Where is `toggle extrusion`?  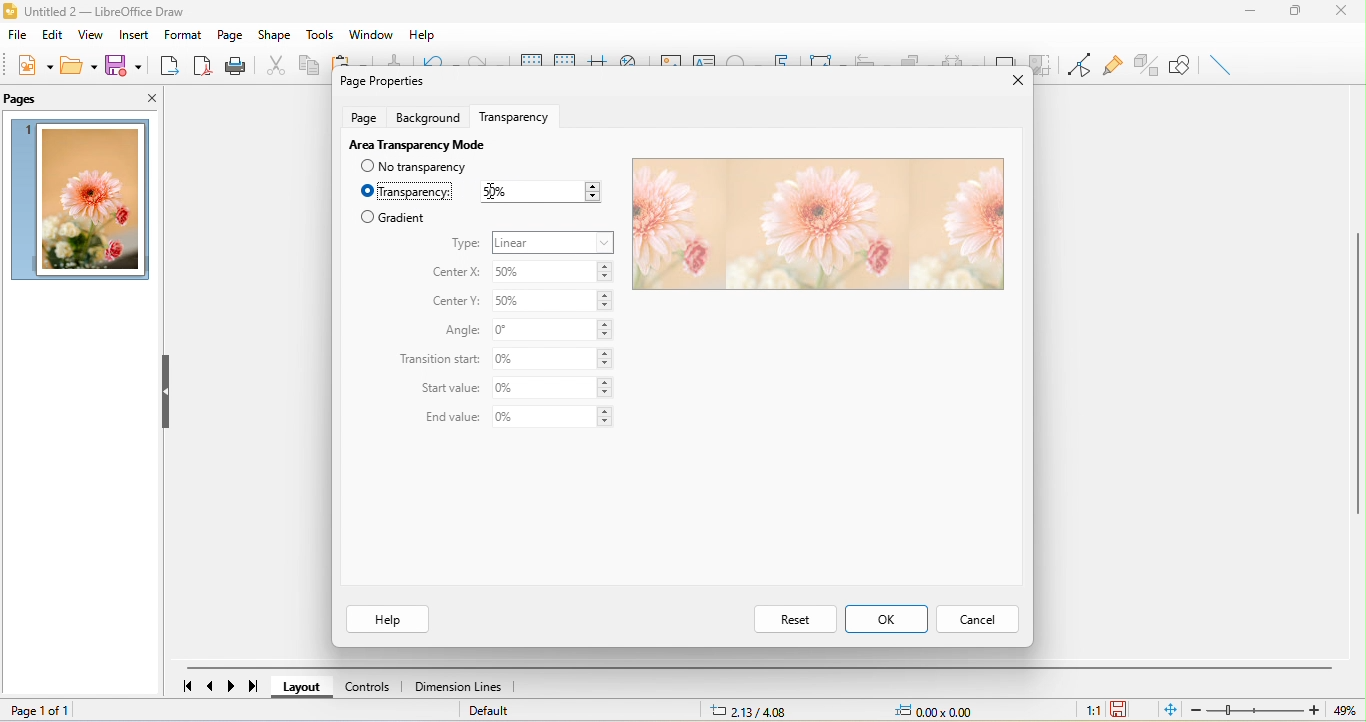
toggle extrusion is located at coordinates (1144, 65).